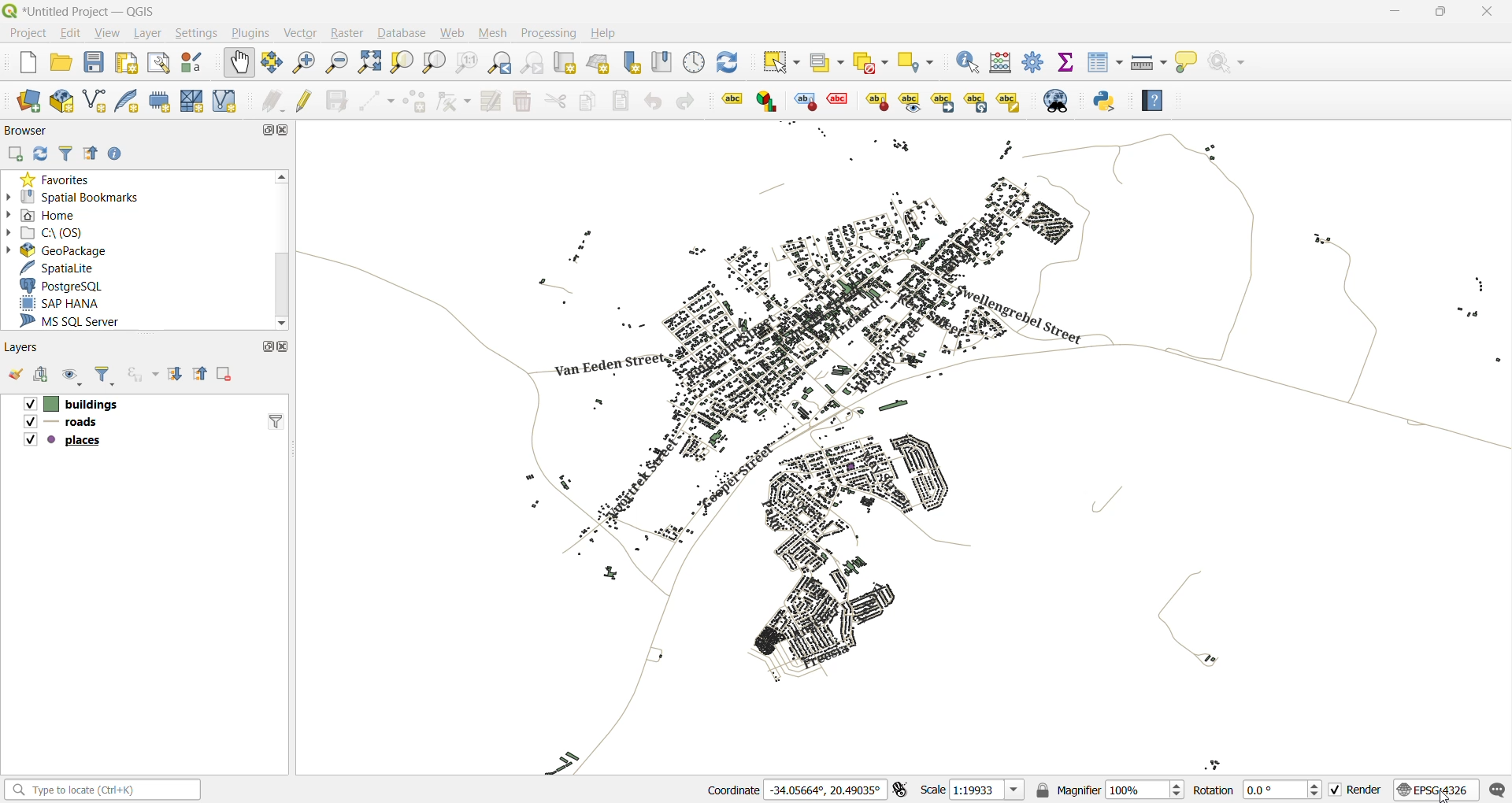 Image resolution: width=1512 pixels, height=803 pixels. What do you see at coordinates (969, 63) in the screenshot?
I see `identify features` at bounding box center [969, 63].